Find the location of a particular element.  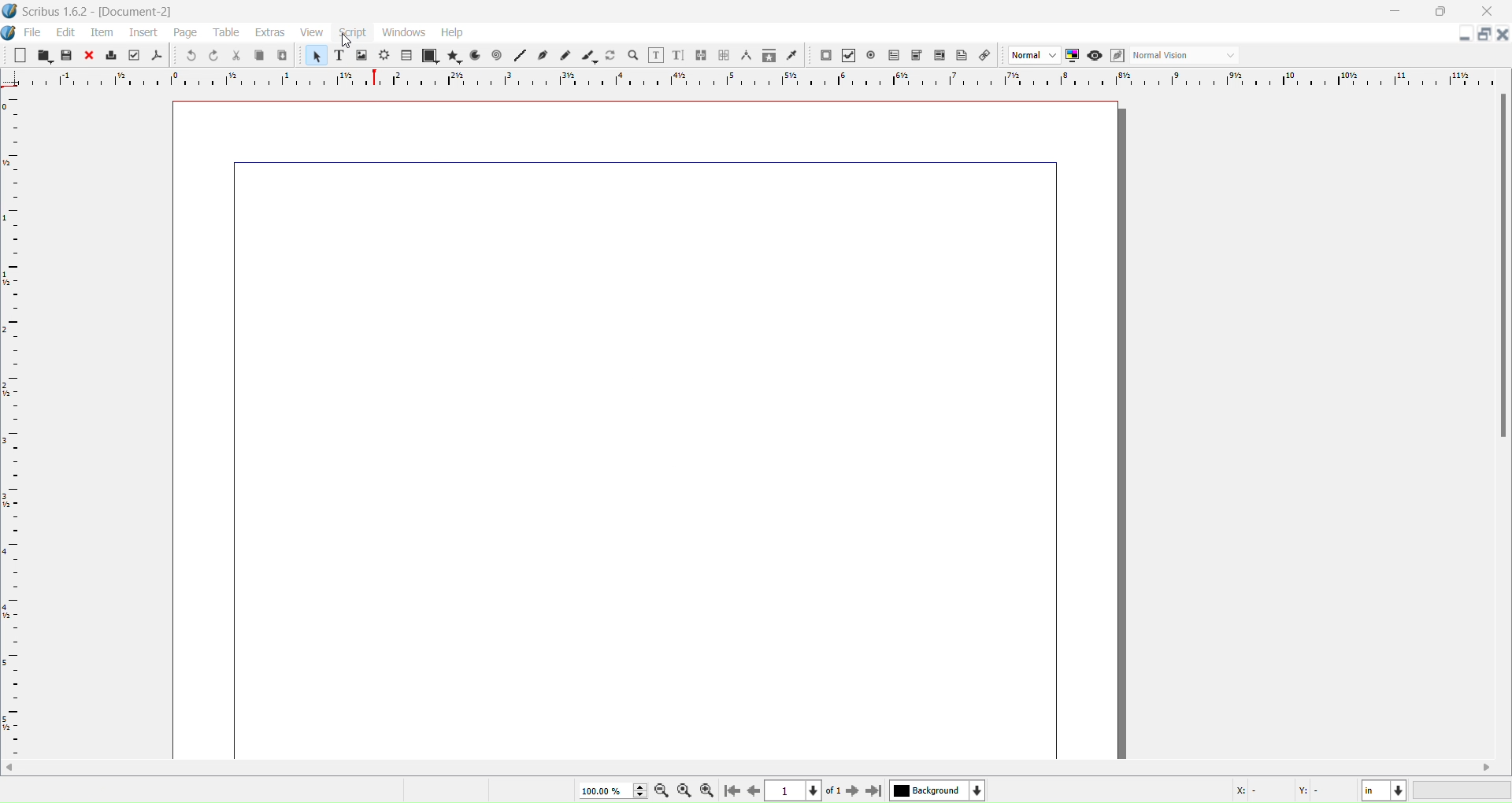

Vertical Scroll Bar is located at coordinates (1499, 268).